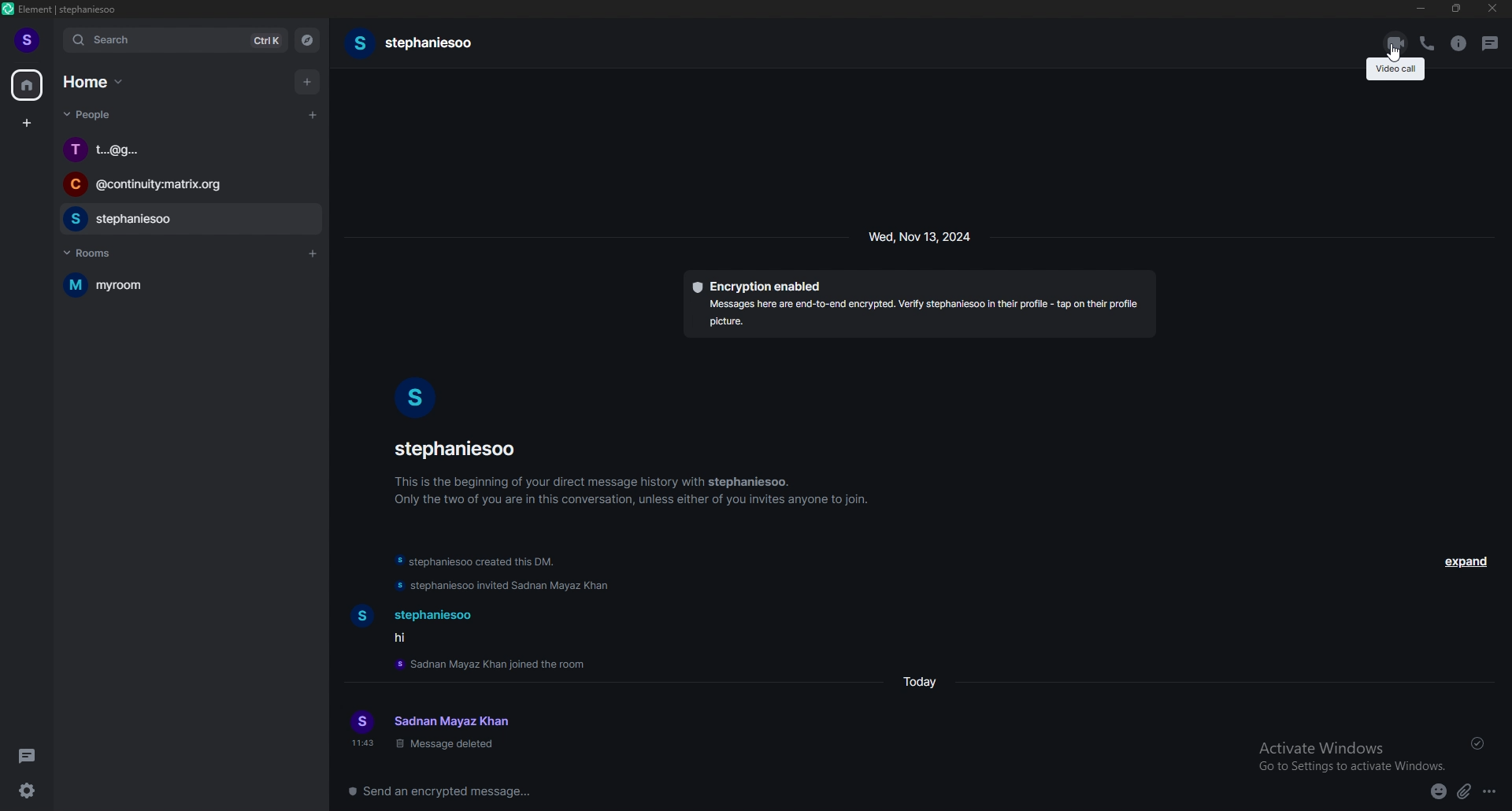  Describe the element at coordinates (26, 123) in the screenshot. I see `create space` at that location.